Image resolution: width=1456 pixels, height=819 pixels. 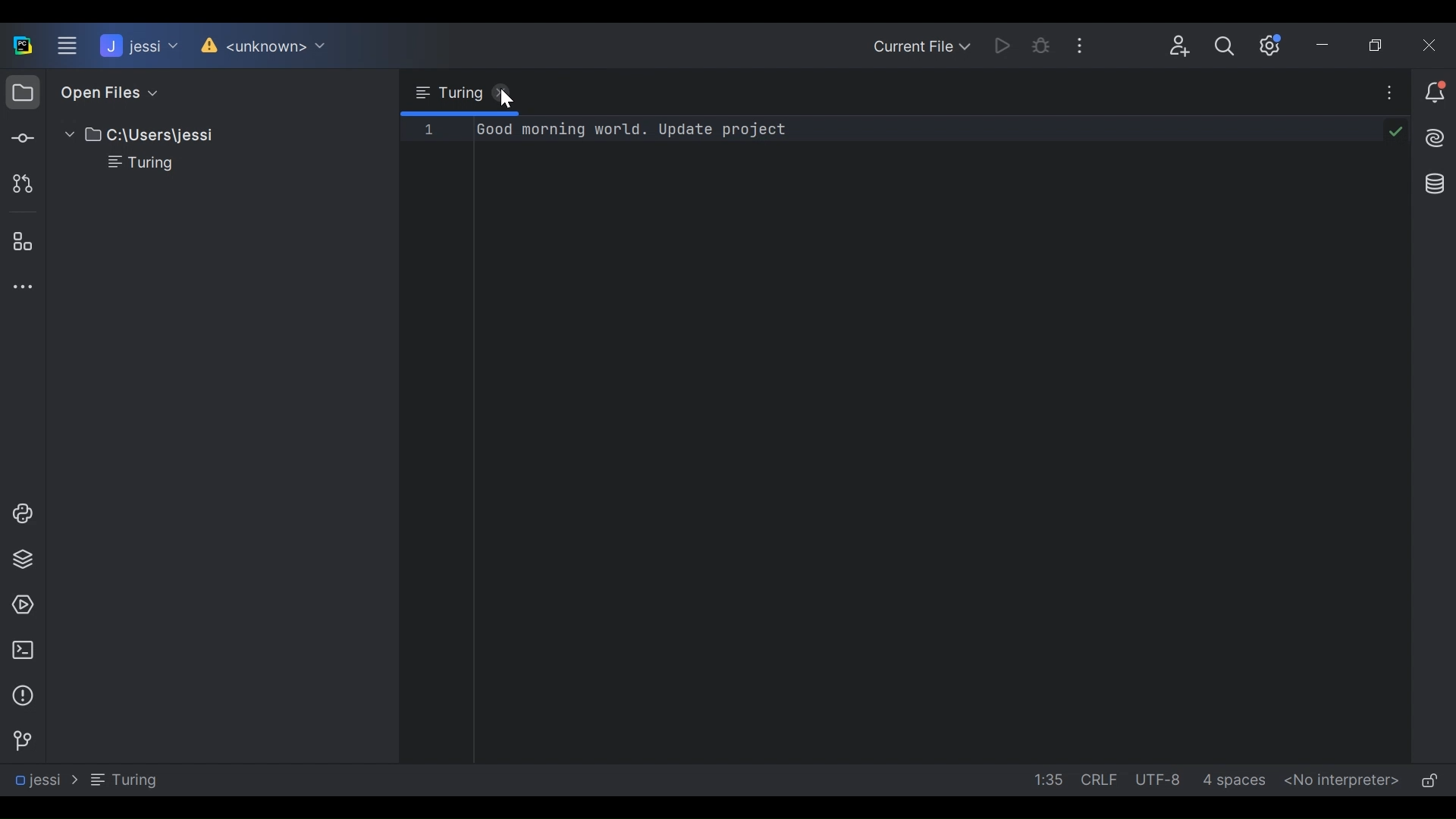 I want to click on Line Column, so click(x=1047, y=781).